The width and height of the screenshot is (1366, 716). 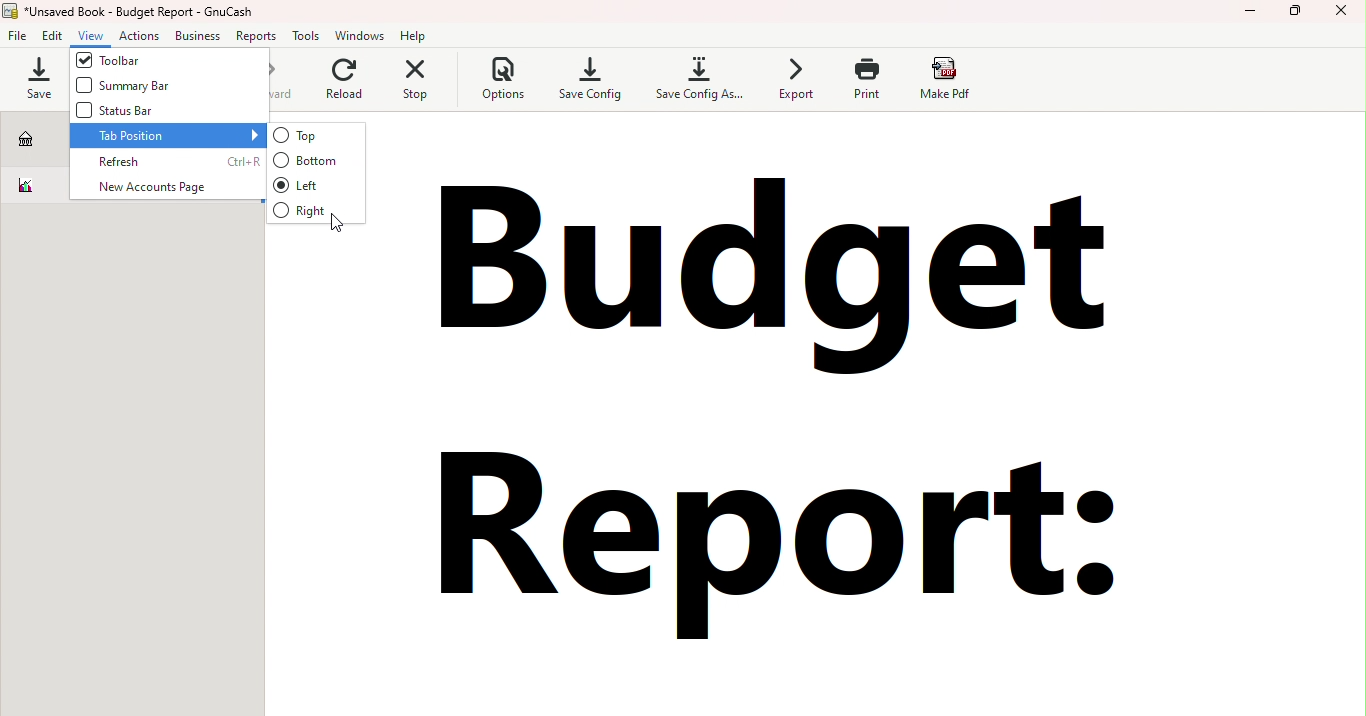 I want to click on Options, so click(x=505, y=81).